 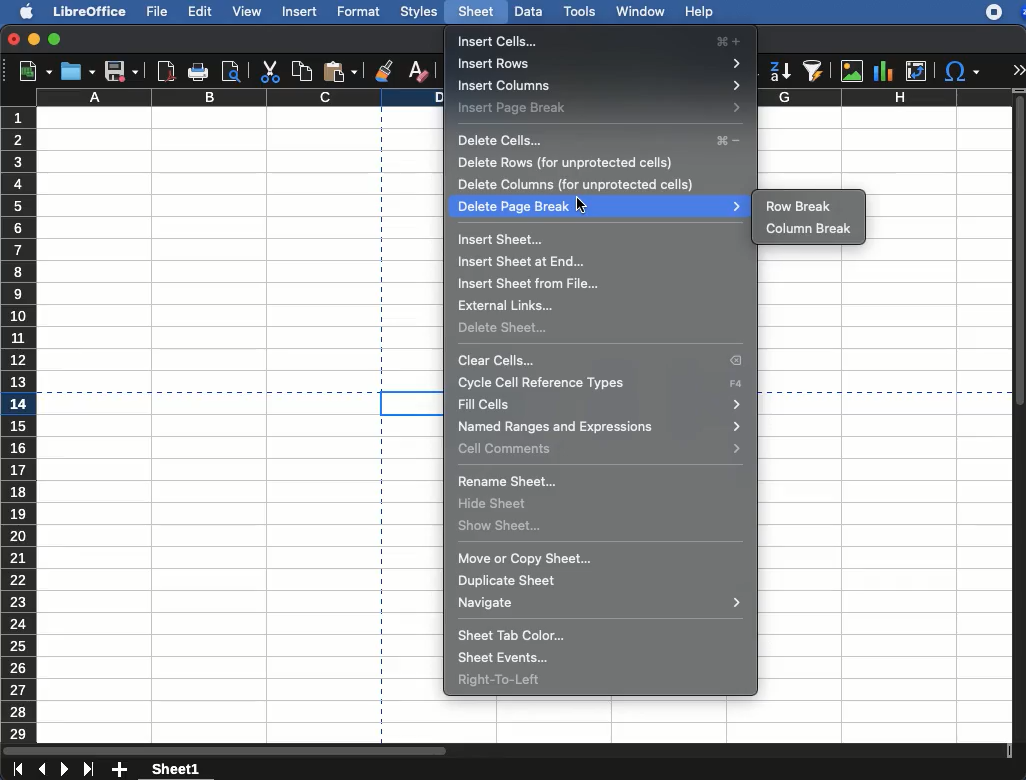 I want to click on scroll, so click(x=1020, y=418).